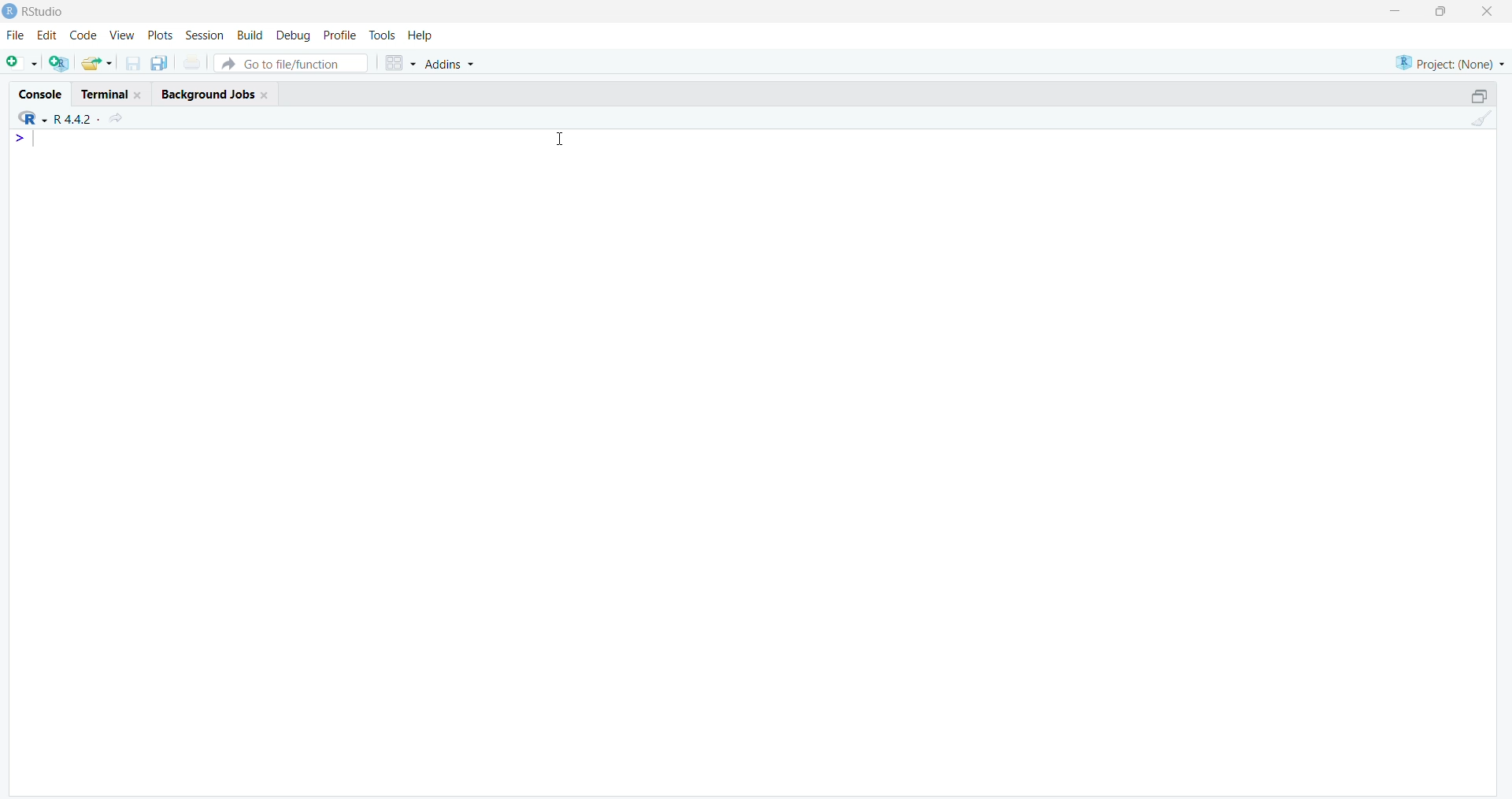  Describe the element at coordinates (113, 91) in the screenshot. I see `Terminal` at that location.